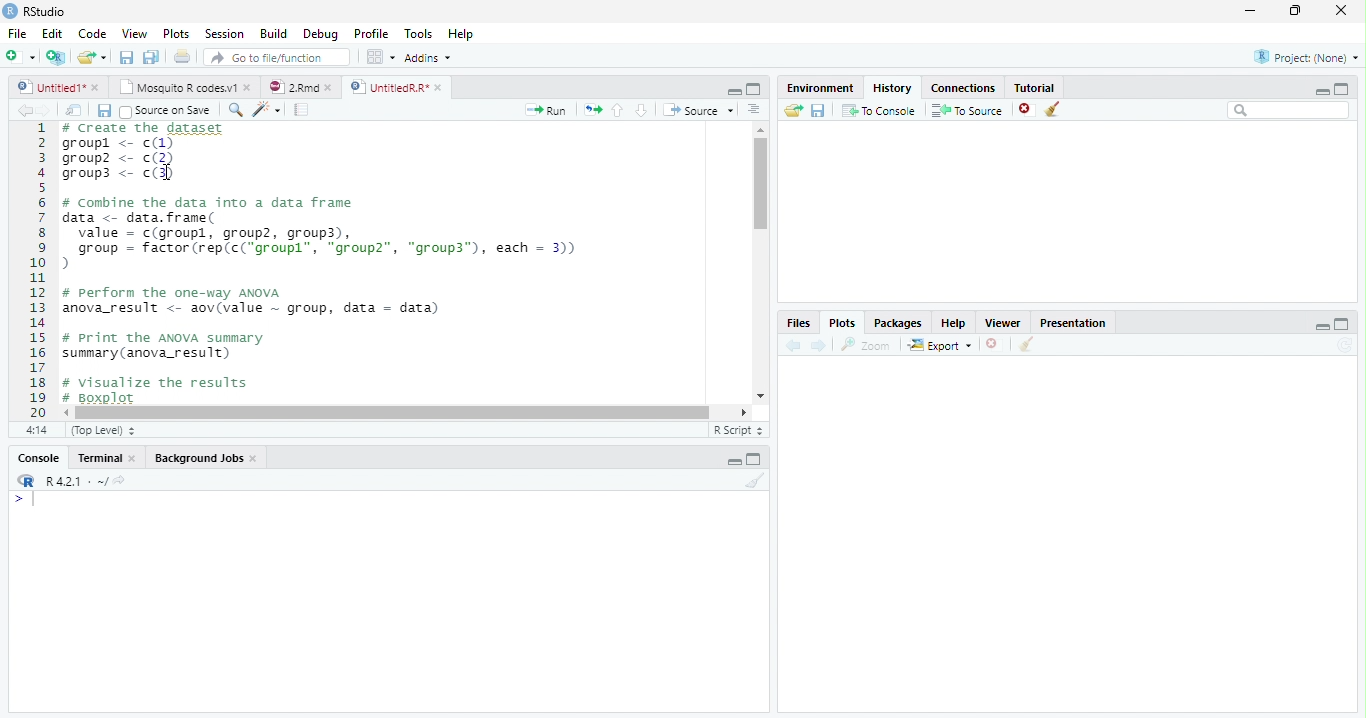  Describe the element at coordinates (90, 34) in the screenshot. I see `Code` at that location.